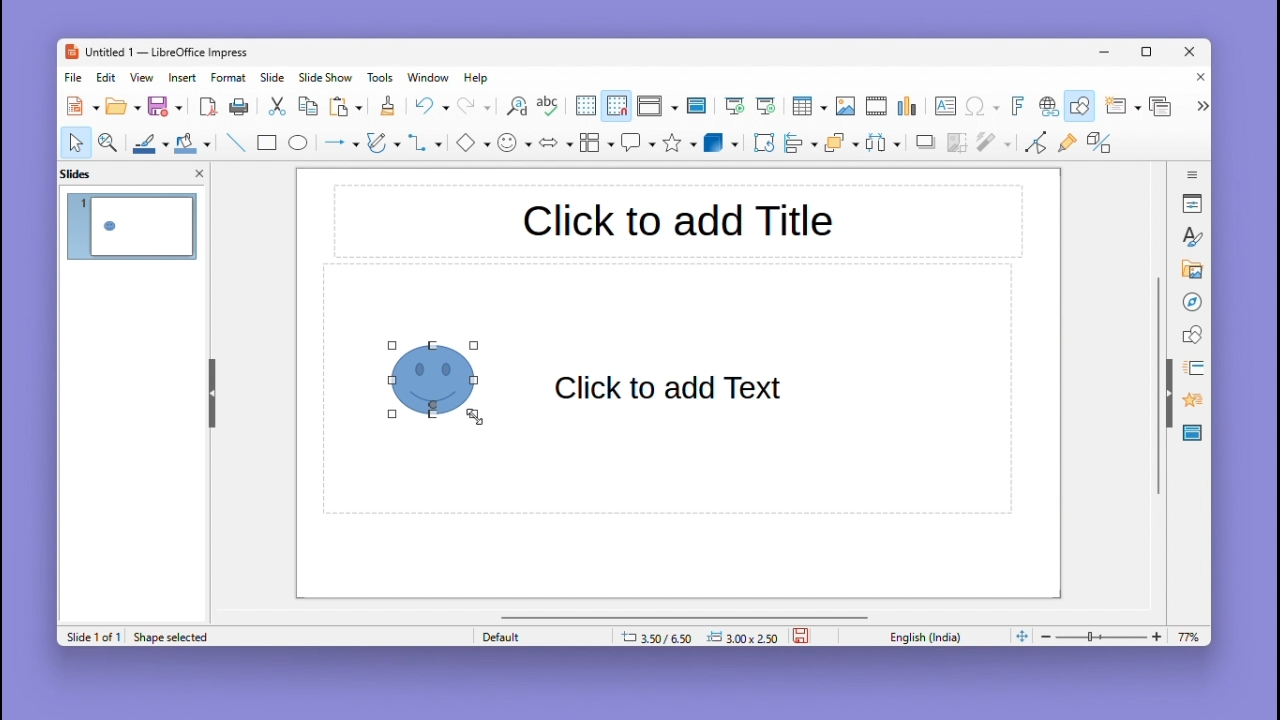 The height and width of the screenshot is (720, 1280). What do you see at coordinates (109, 141) in the screenshot?
I see `Magnification` at bounding box center [109, 141].